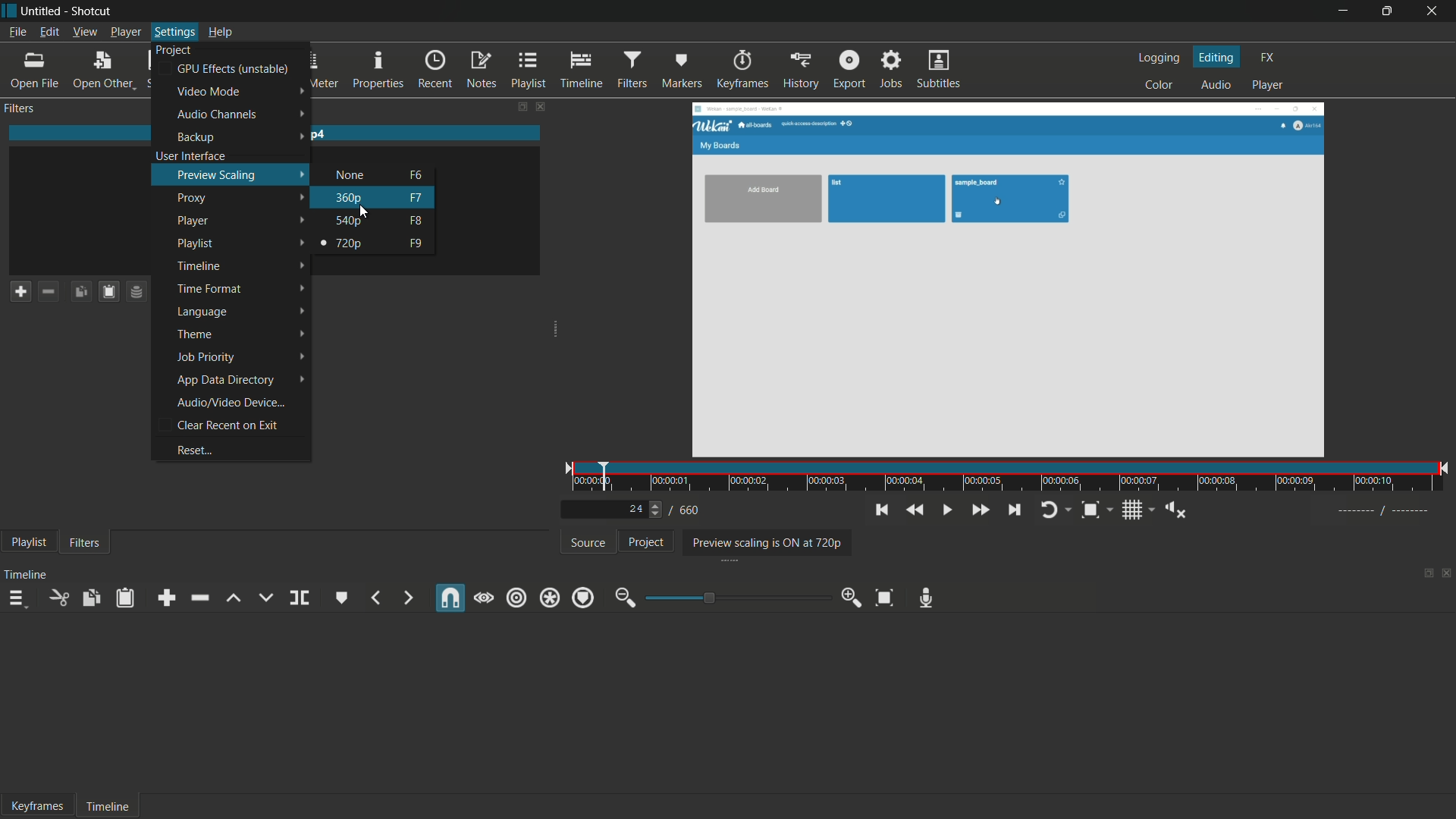  I want to click on playlist, so click(26, 544).